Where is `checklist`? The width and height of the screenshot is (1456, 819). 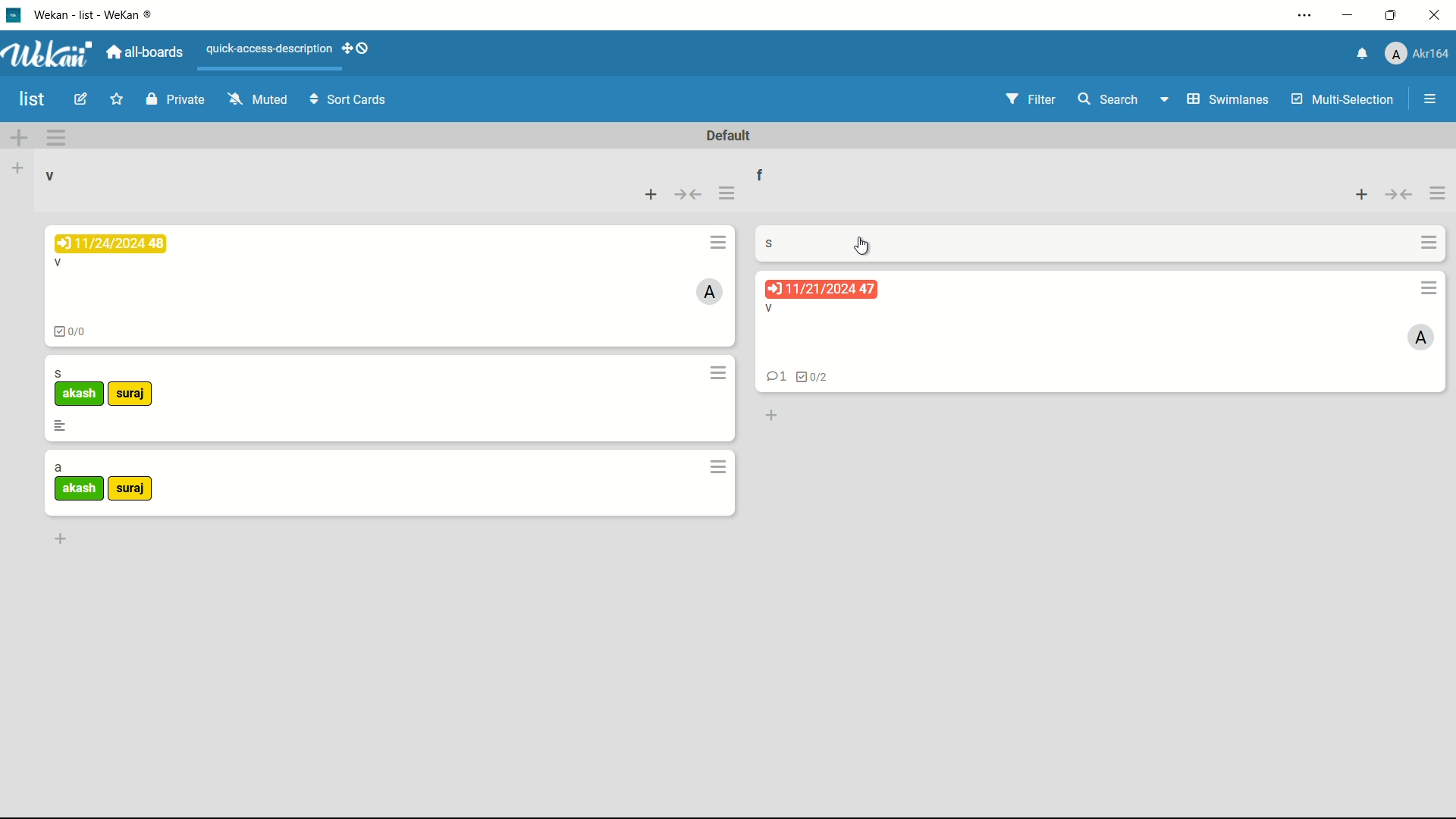
checklist is located at coordinates (74, 334).